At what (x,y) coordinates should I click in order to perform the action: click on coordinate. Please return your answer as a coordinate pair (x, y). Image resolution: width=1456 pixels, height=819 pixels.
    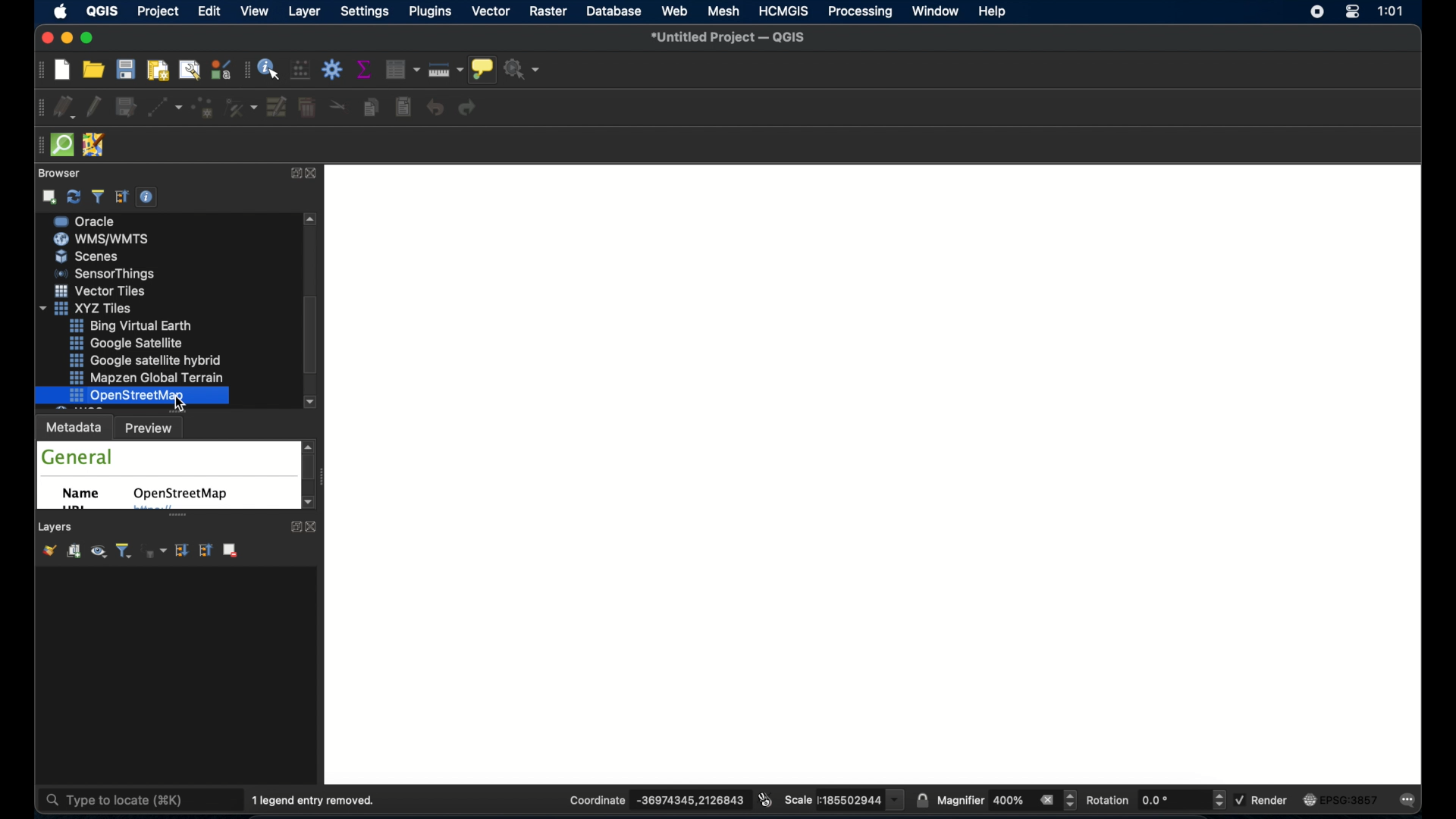
    Looking at the image, I should click on (656, 800).